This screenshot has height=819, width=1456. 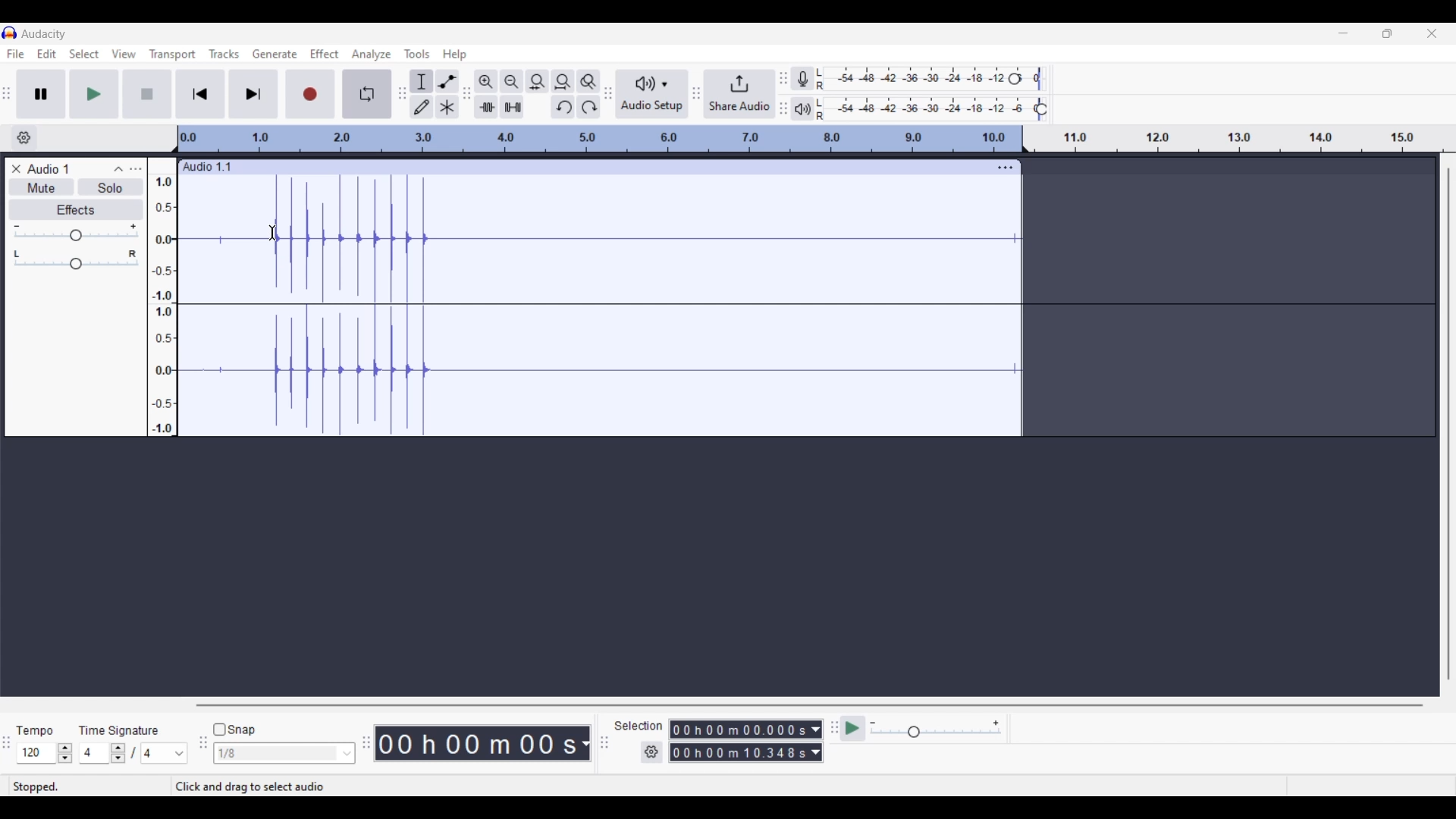 What do you see at coordinates (118, 169) in the screenshot?
I see `Collapse` at bounding box center [118, 169].